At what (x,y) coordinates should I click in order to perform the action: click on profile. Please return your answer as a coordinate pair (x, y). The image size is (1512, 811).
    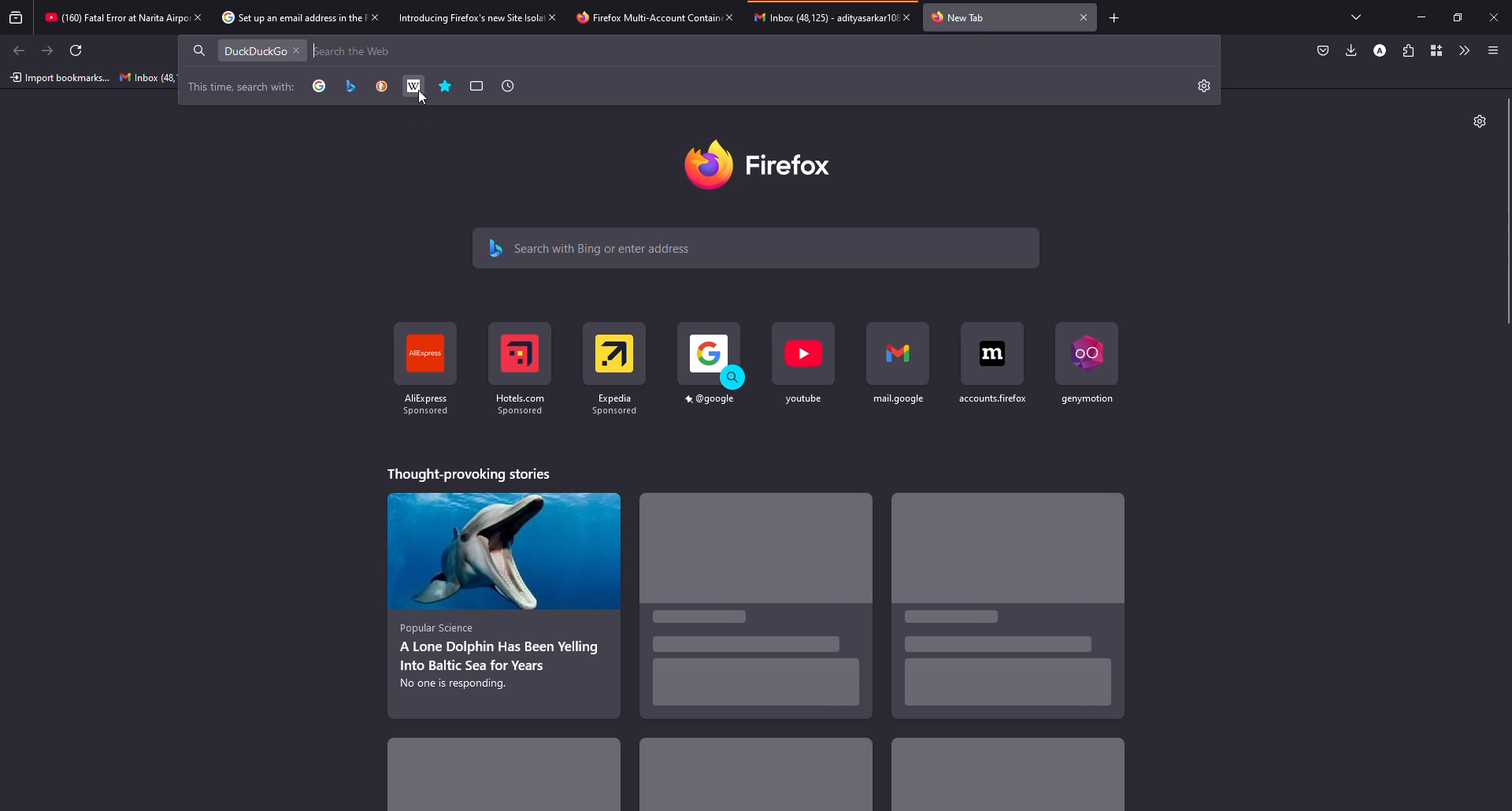
    Looking at the image, I should click on (1380, 51).